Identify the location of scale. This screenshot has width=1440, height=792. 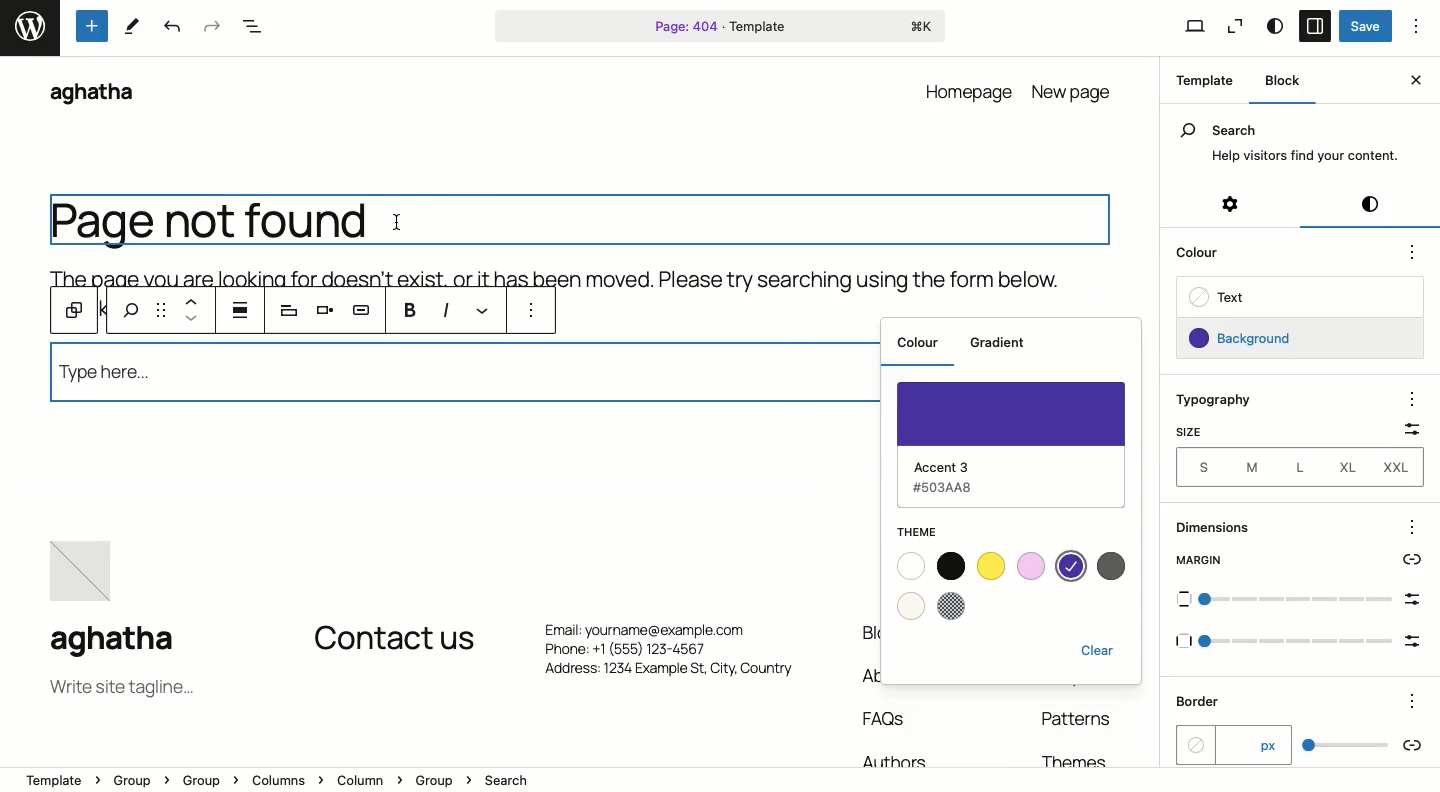
(1303, 641).